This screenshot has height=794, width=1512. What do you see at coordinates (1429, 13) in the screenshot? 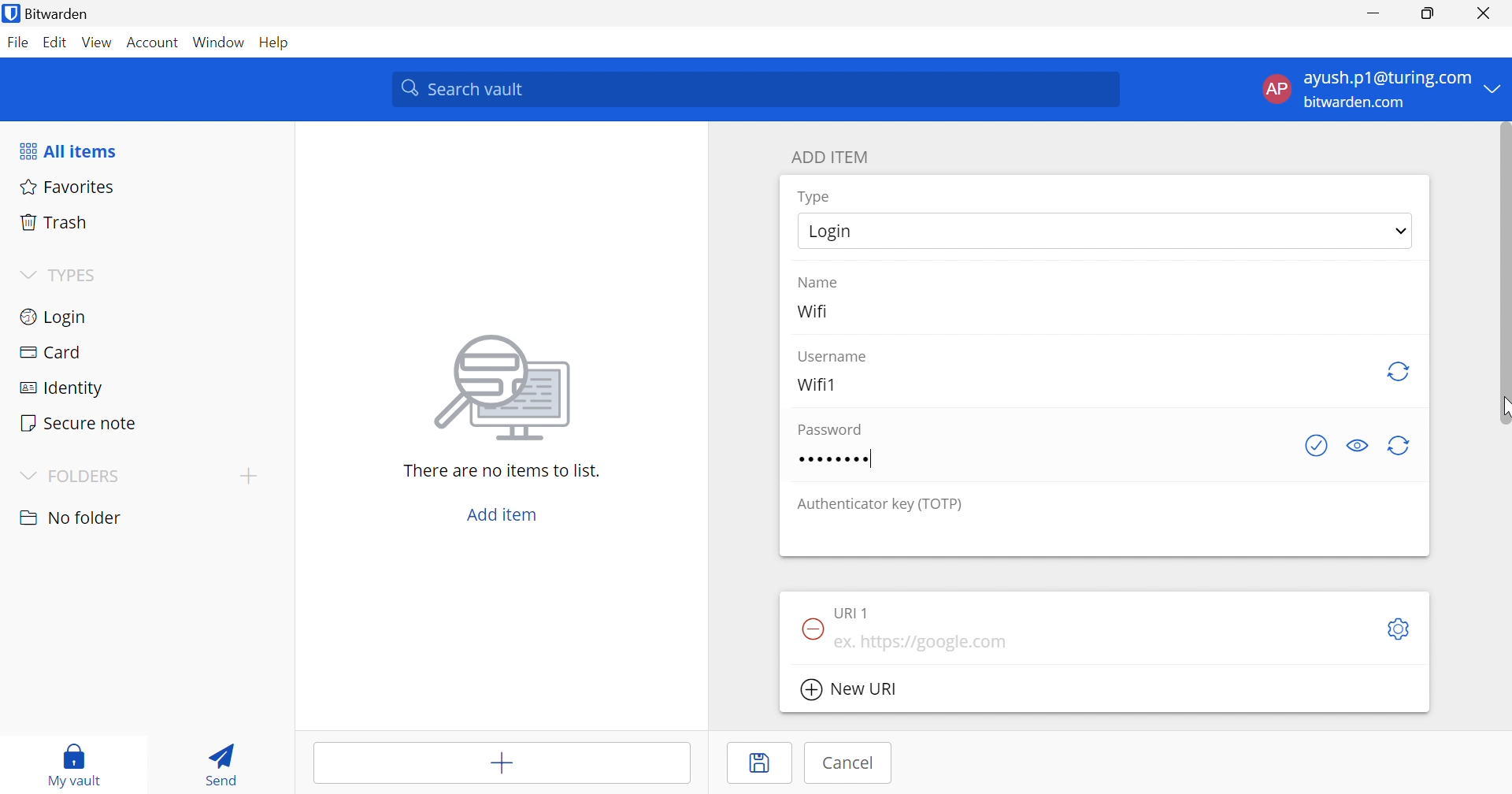
I see `Restore Down` at bounding box center [1429, 13].